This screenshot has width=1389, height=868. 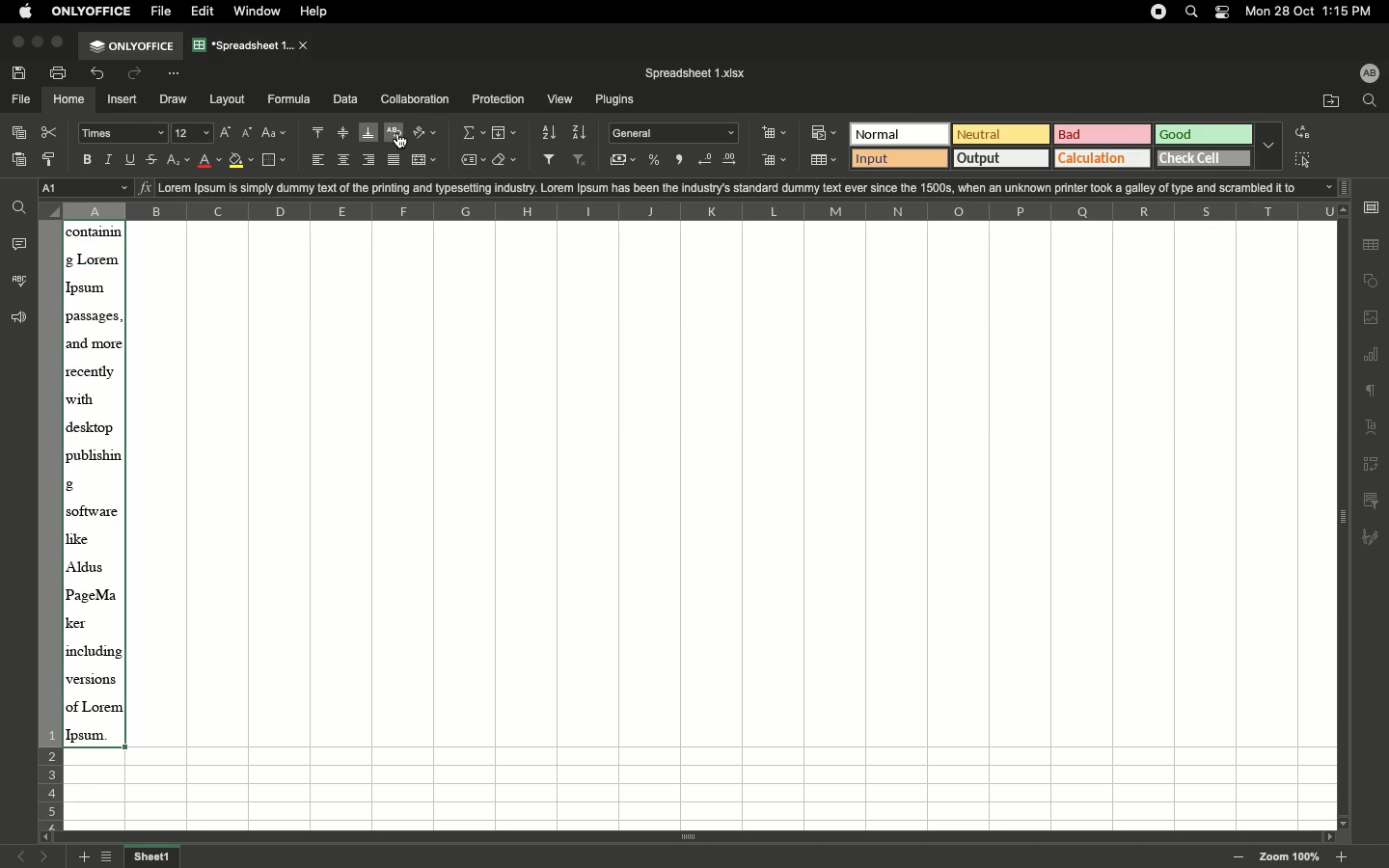 What do you see at coordinates (450, 160) in the screenshot?
I see `Guide text` at bounding box center [450, 160].